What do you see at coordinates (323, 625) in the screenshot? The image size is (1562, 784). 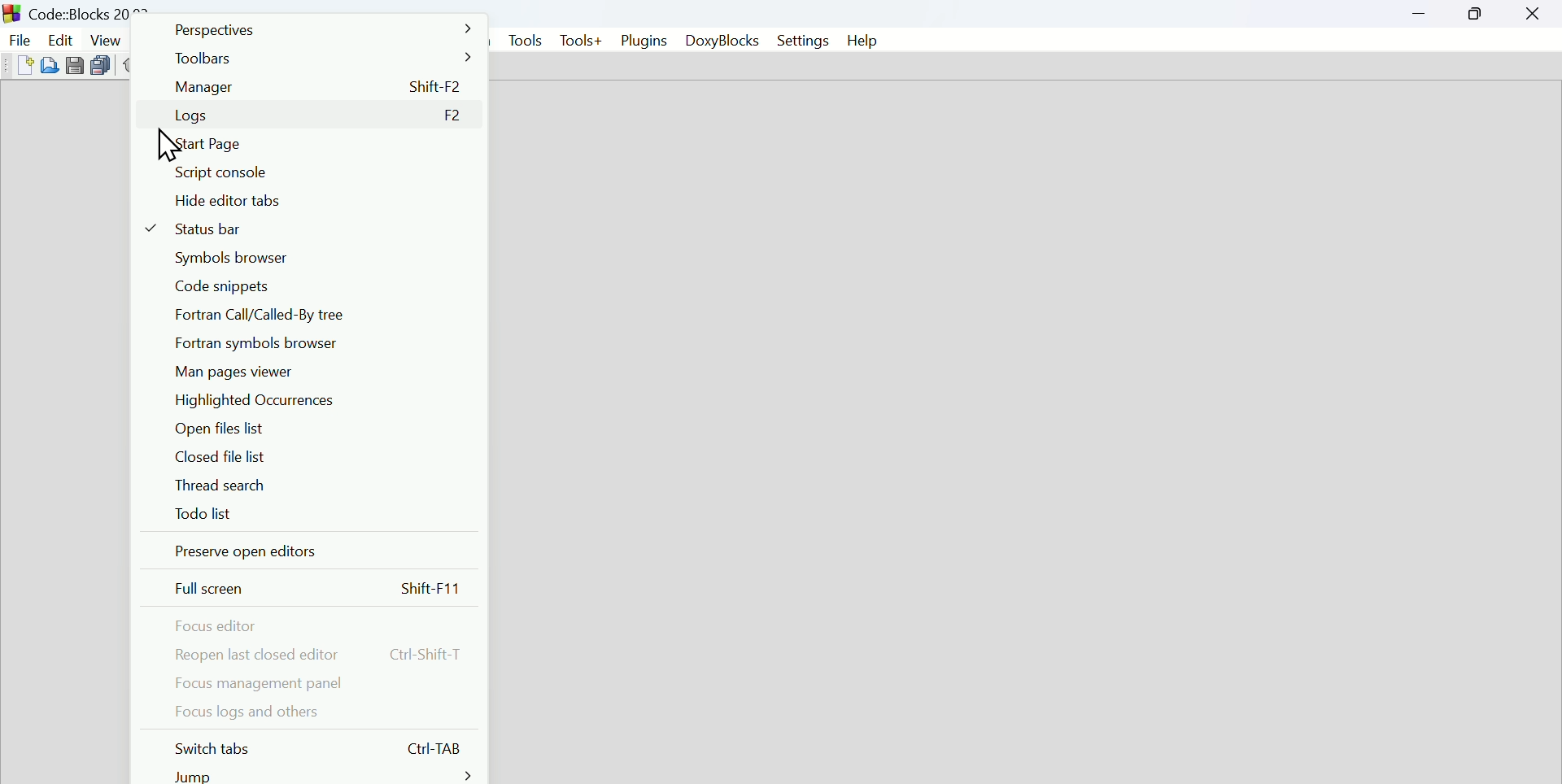 I see `Focus editor` at bounding box center [323, 625].